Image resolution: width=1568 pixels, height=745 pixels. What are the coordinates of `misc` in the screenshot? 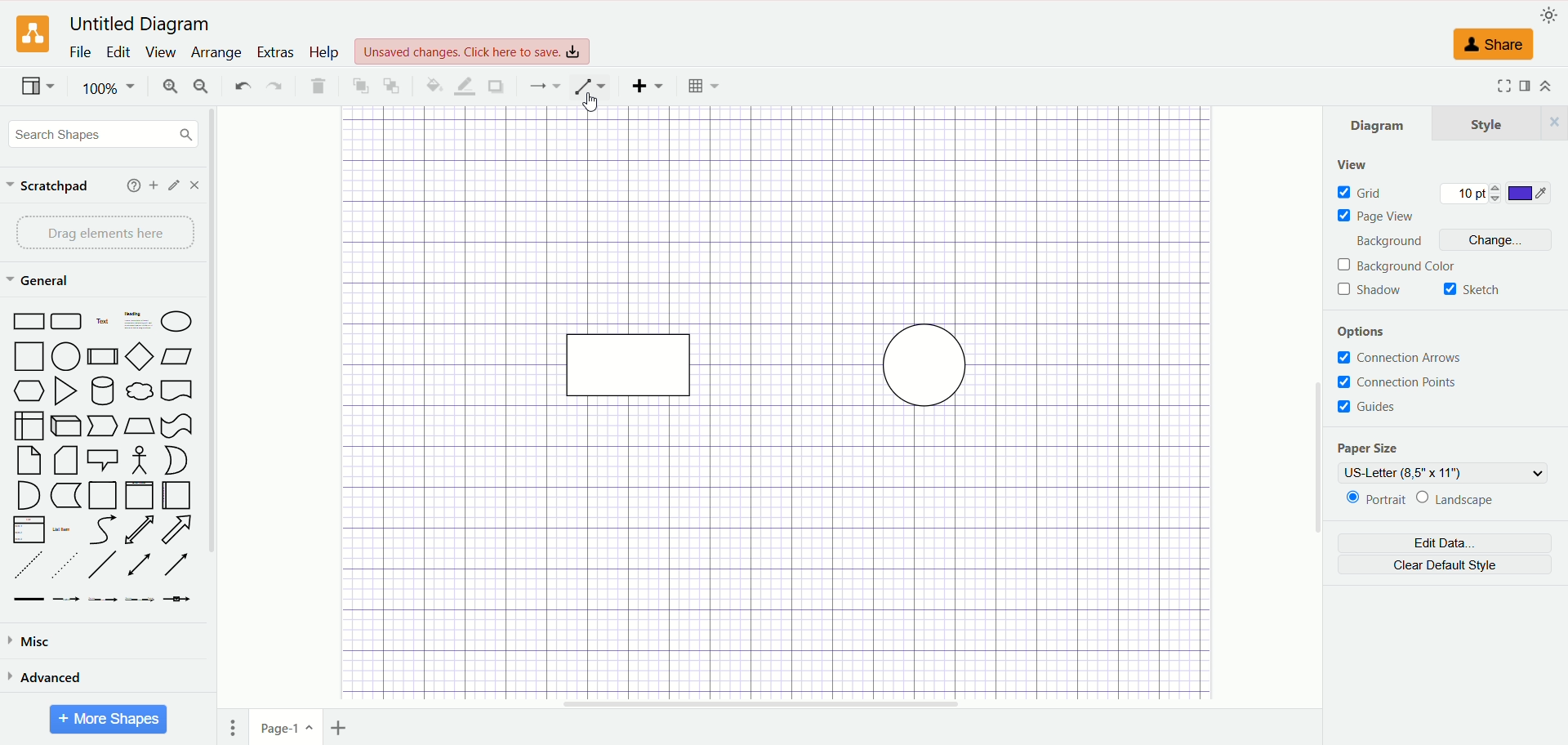 It's located at (38, 640).